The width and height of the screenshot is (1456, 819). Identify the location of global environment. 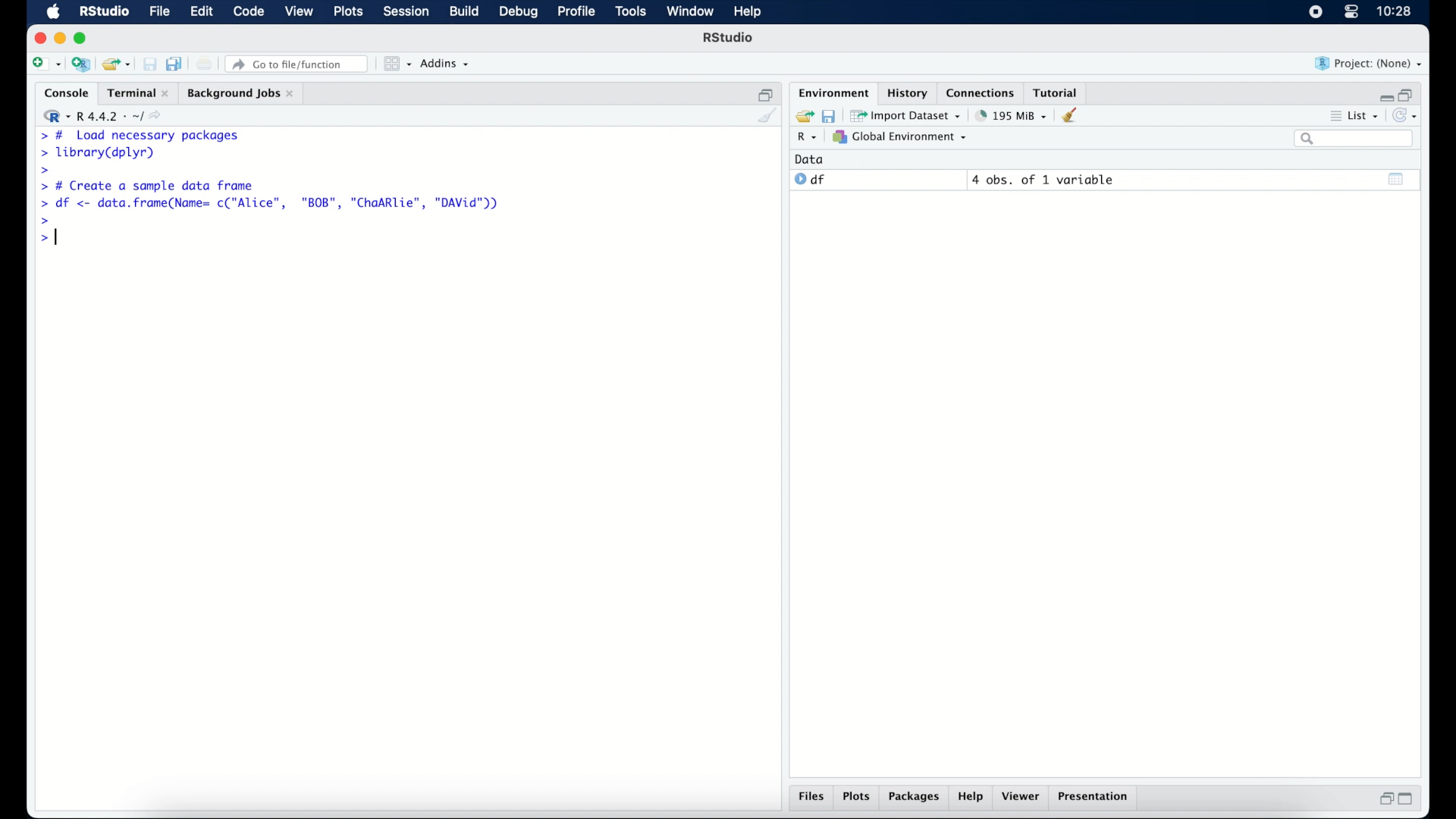
(900, 137).